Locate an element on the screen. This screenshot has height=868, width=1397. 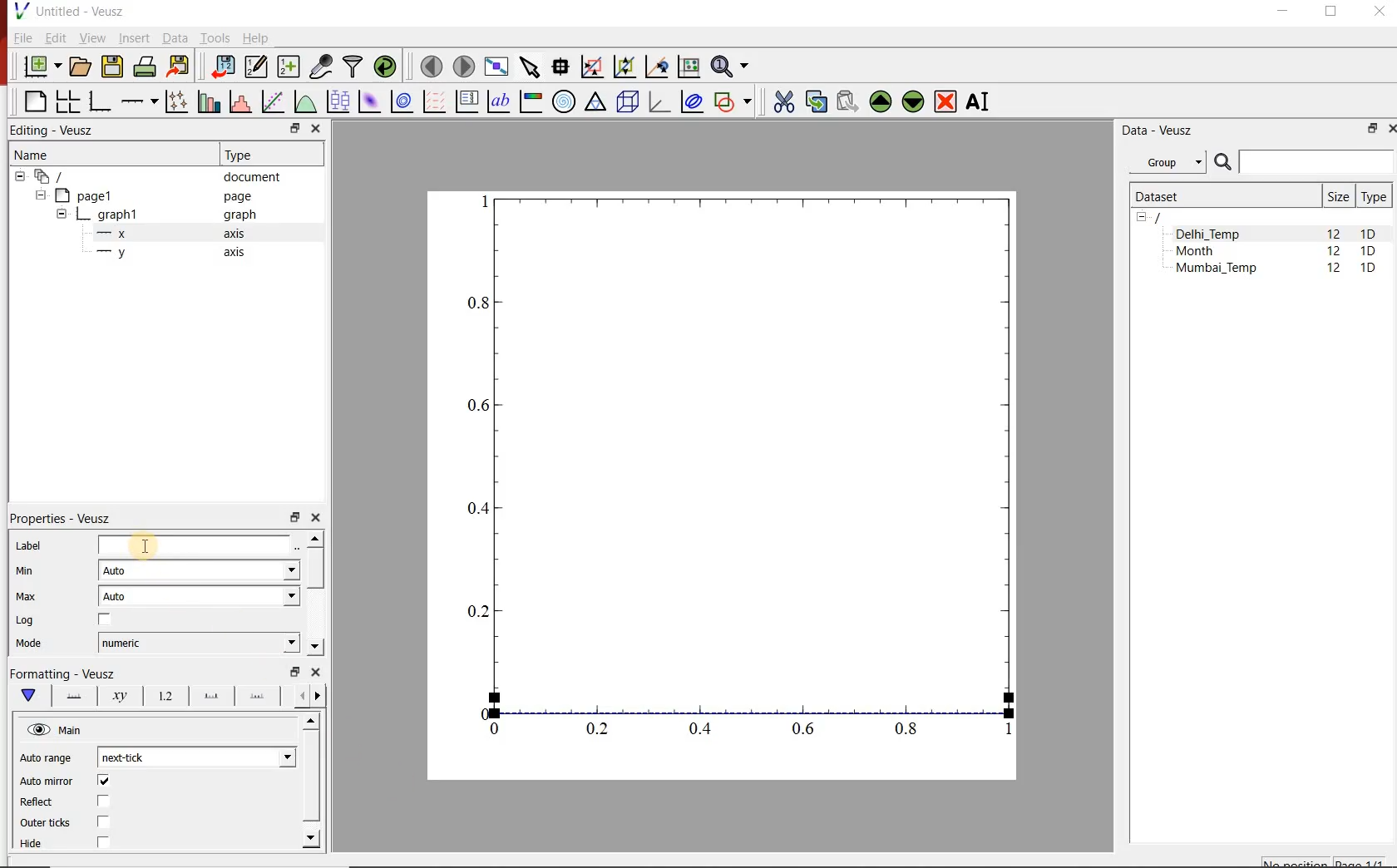
Tools is located at coordinates (216, 38).